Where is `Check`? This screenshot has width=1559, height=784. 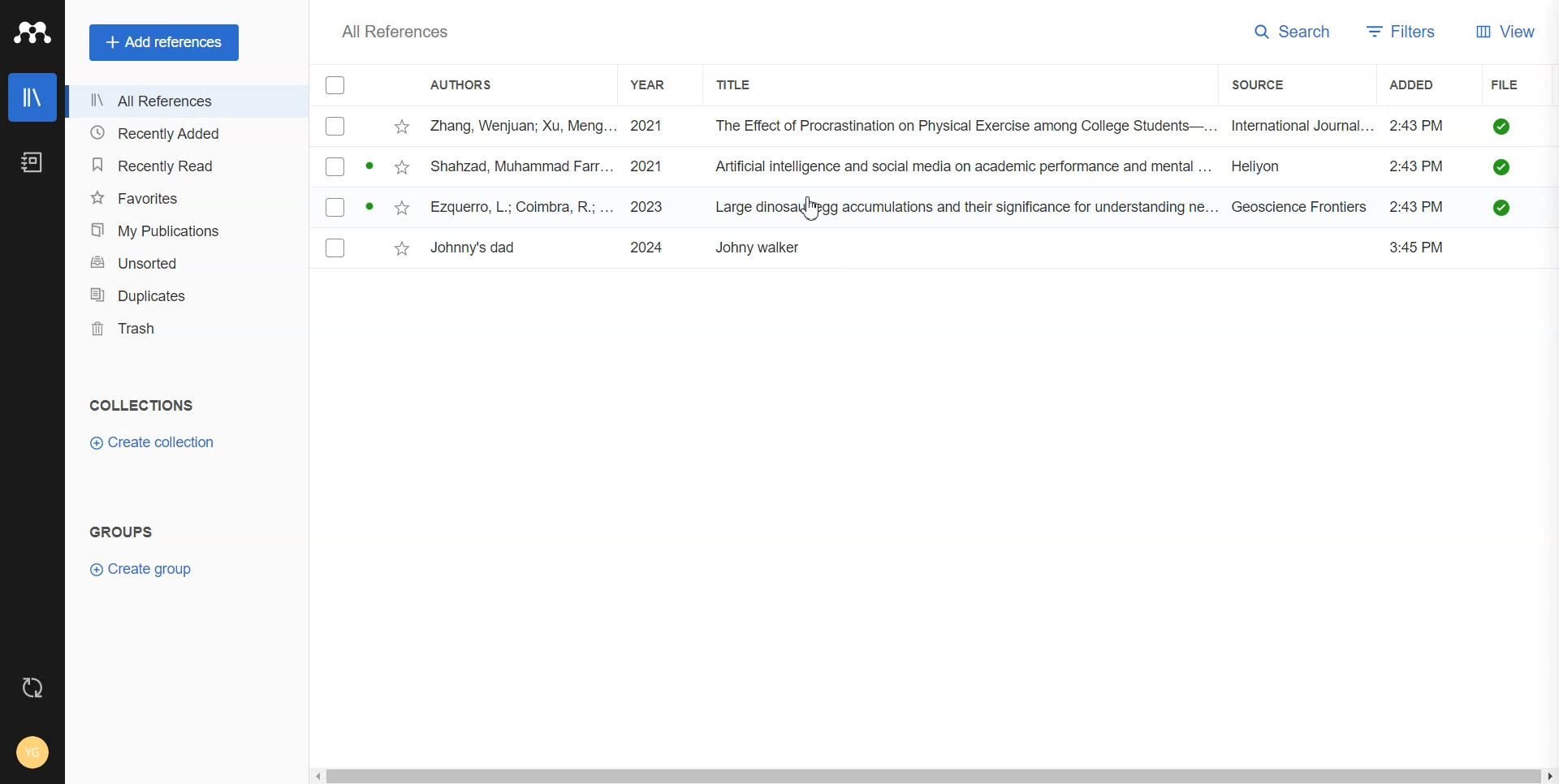 Check is located at coordinates (1501, 209).